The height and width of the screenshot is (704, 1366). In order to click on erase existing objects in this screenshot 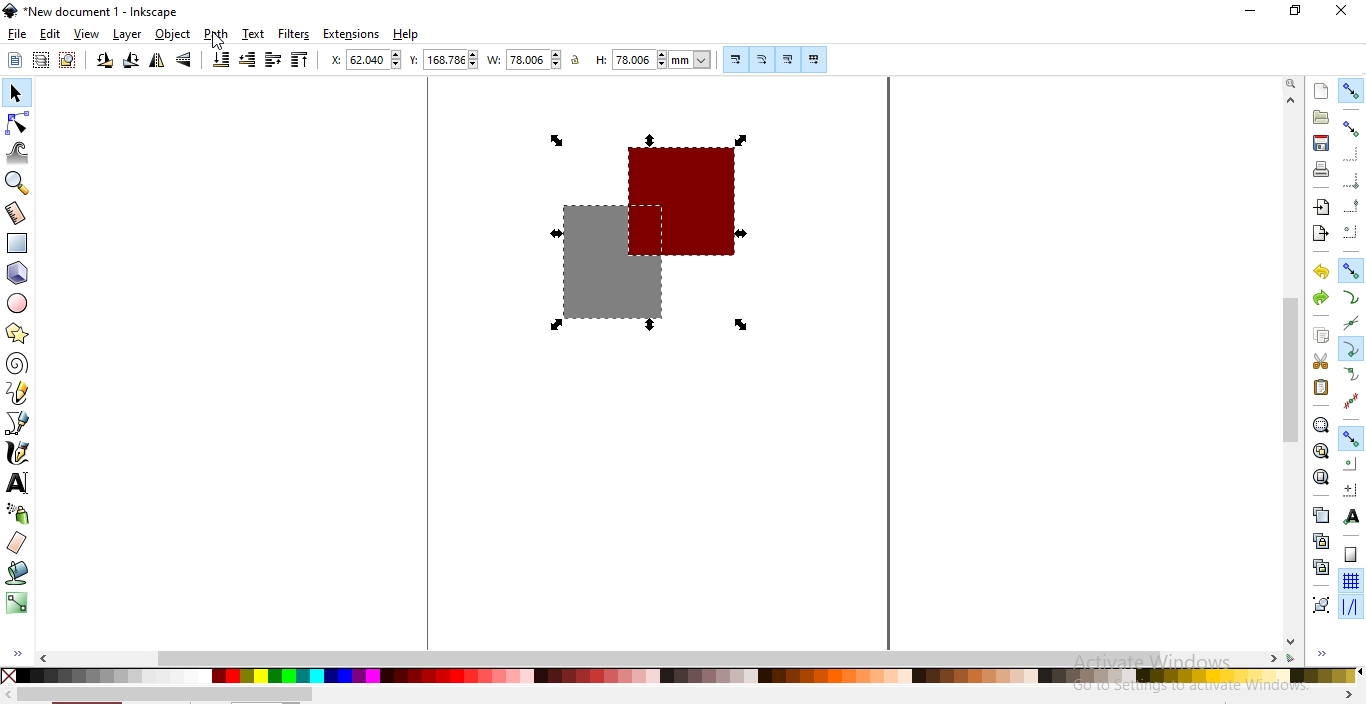, I will do `click(16, 542)`.